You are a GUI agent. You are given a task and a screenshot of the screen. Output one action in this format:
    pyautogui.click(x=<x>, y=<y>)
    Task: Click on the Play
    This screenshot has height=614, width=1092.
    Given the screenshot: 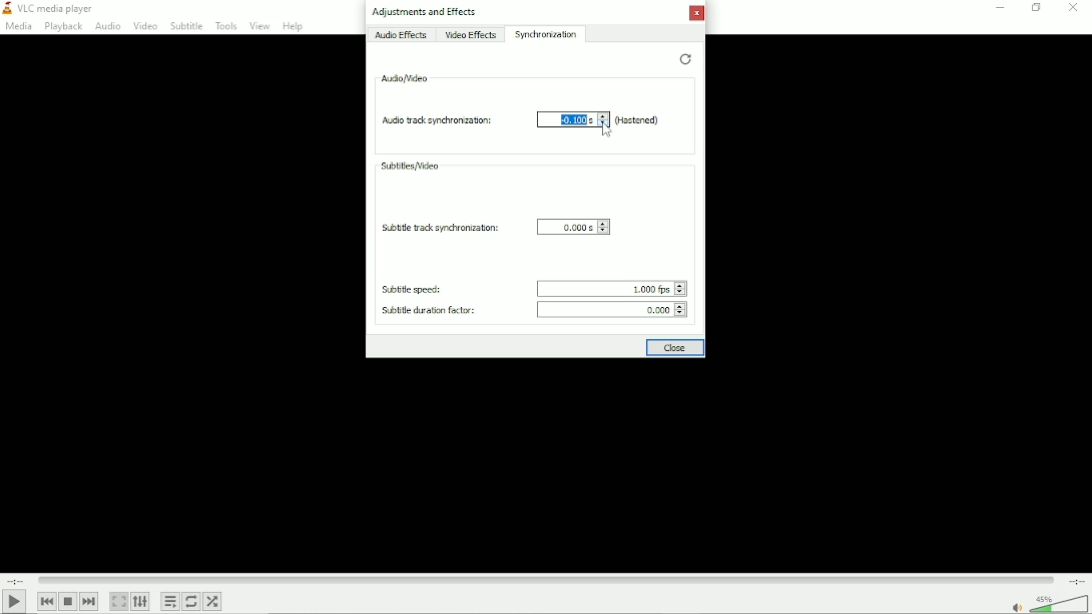 What is the action you would take?
    pyautogui.click(x=15, y=602)
    